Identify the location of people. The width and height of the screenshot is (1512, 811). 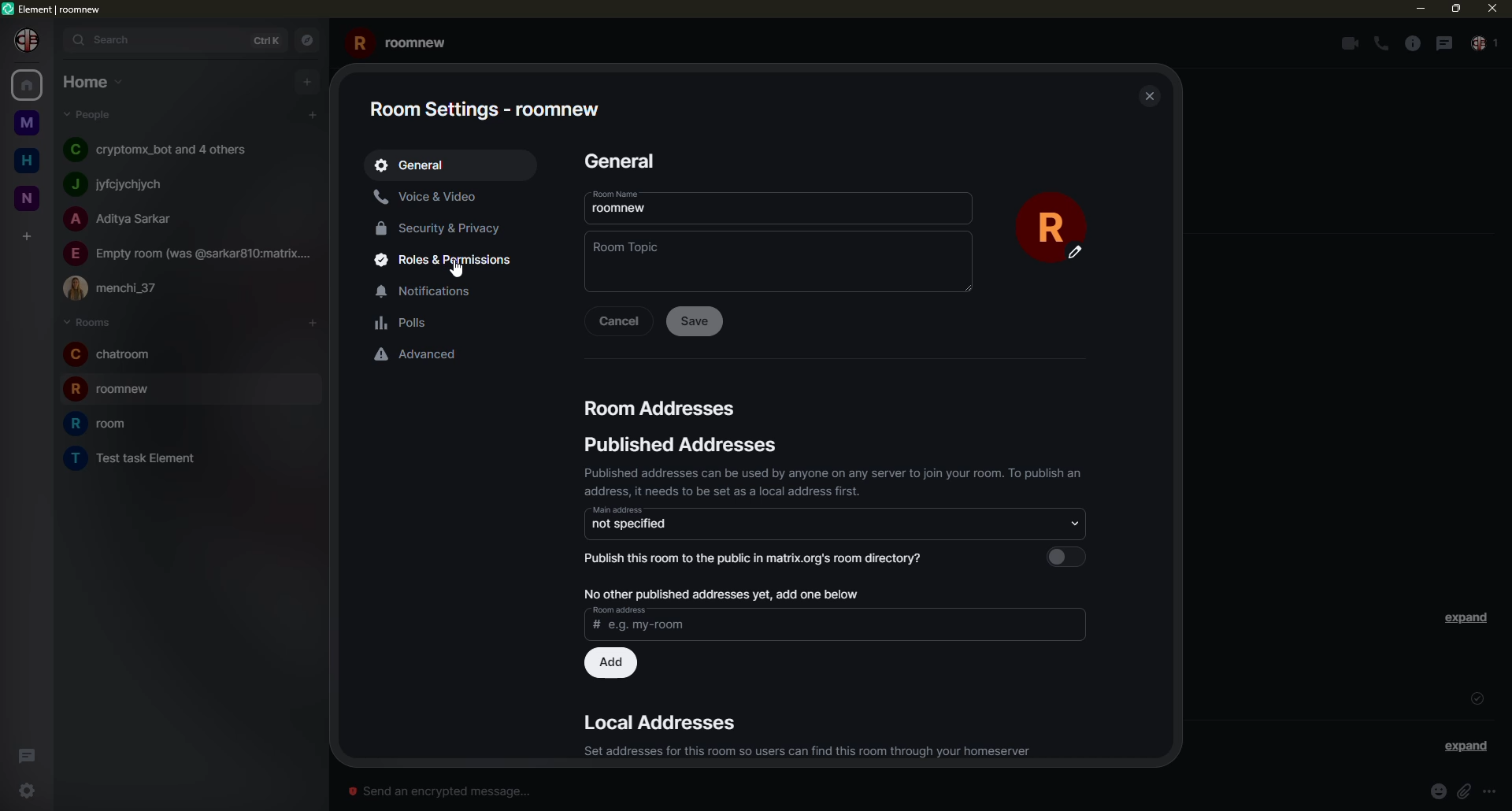
(124, 183).